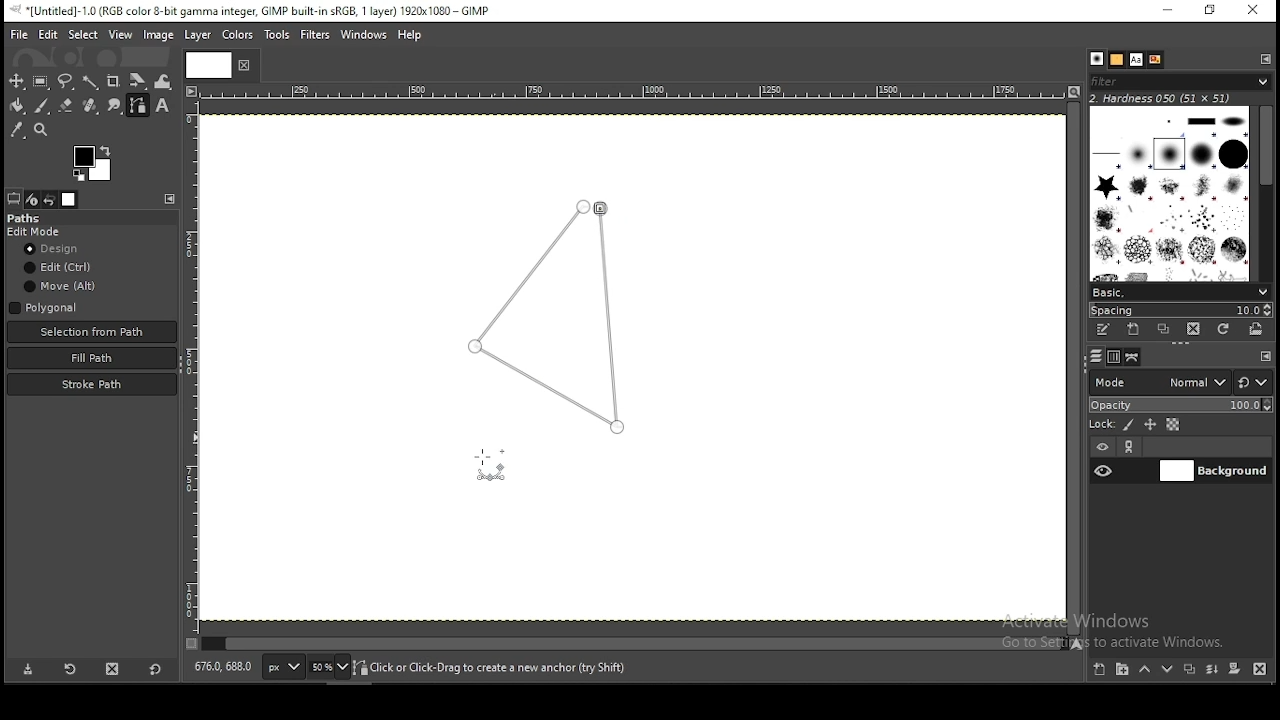  I want to click on layer visibility, so click(1103, 446).